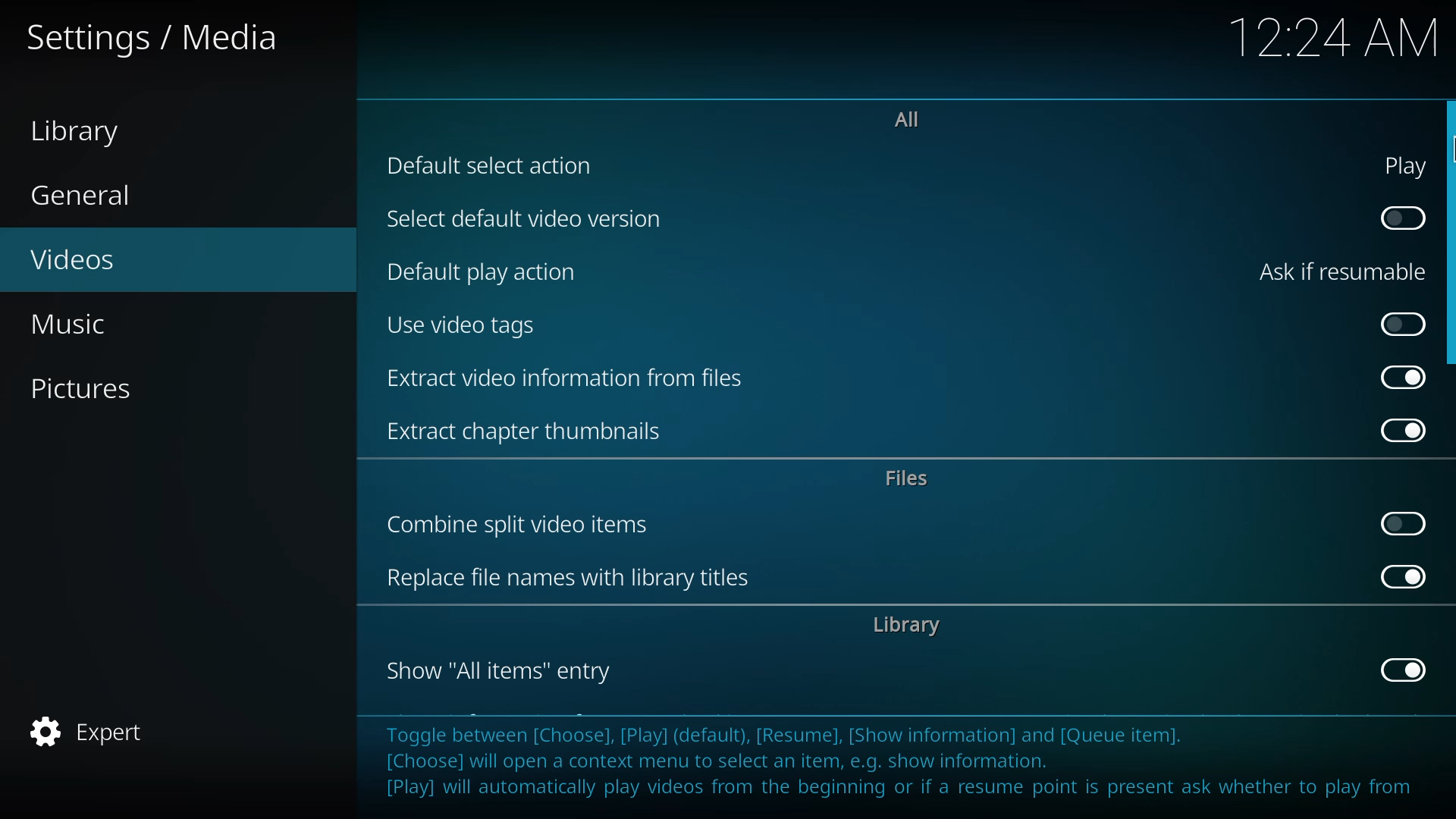 This screenshot has height=819, width=1456. Describe the element at coordinates (525, 521) in the screenshot. I see `combine split video items` at that location.